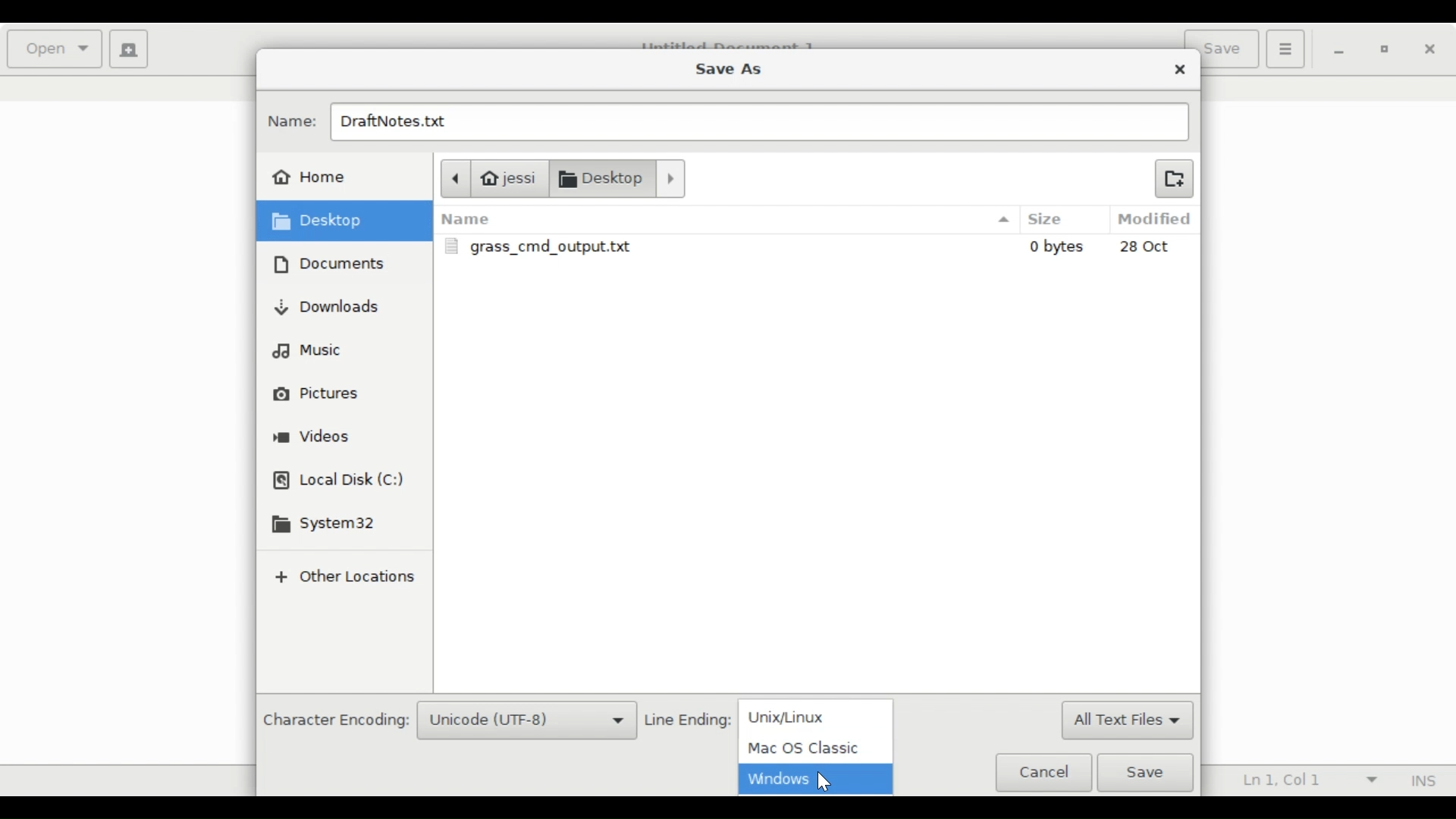 The width and height of the screenshot is (1456, 819). What do you see at coordinates (308, 350) in the screenshot?
I see `Music` at bounding box center [308, 350].